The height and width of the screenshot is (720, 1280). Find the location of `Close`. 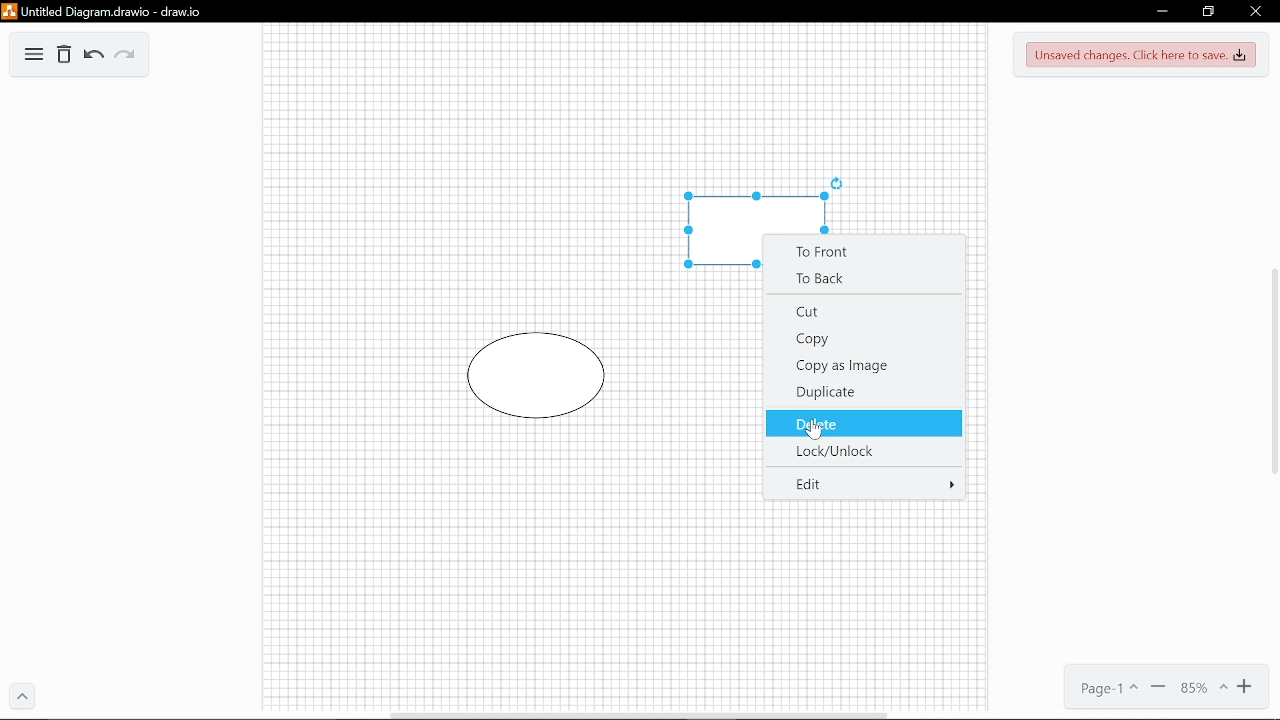

Close is located at coordinates (1255, 12).